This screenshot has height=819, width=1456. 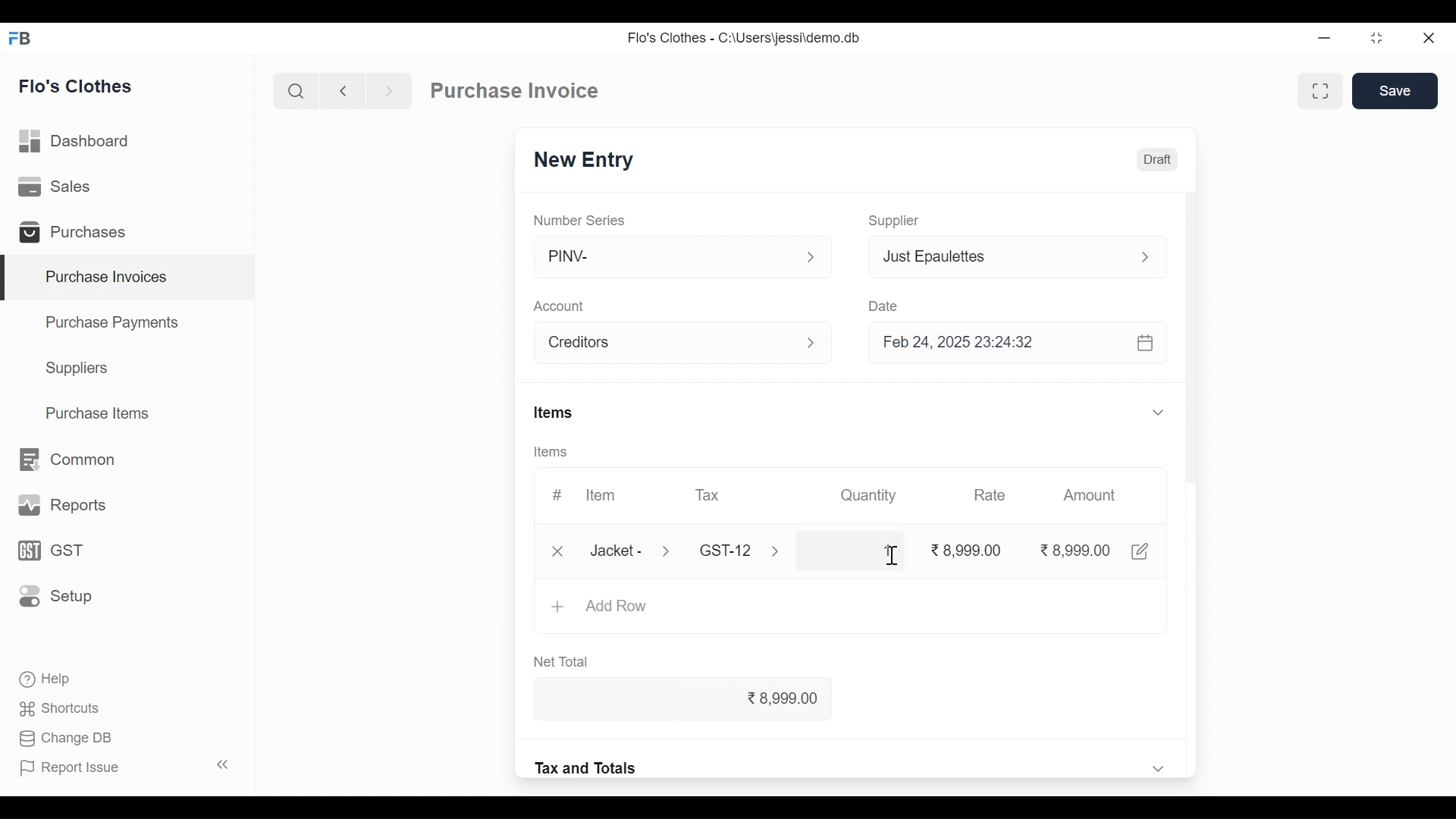 What do you see at coordinates (851, 551) in the screenshot?
I see `1` at bounding box center [851, 551].